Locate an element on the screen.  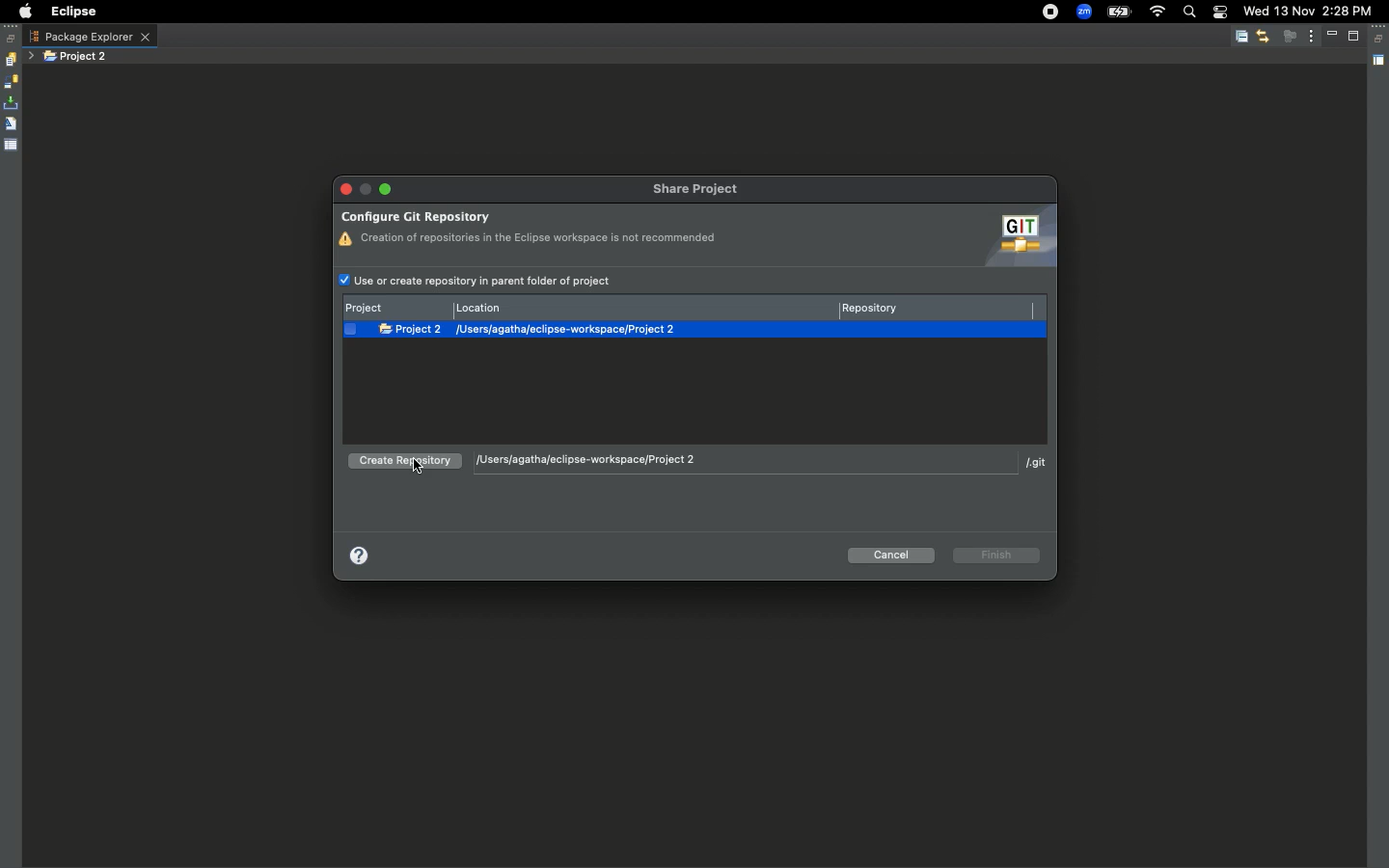
Apple logo is located at coordinates (22, 12).